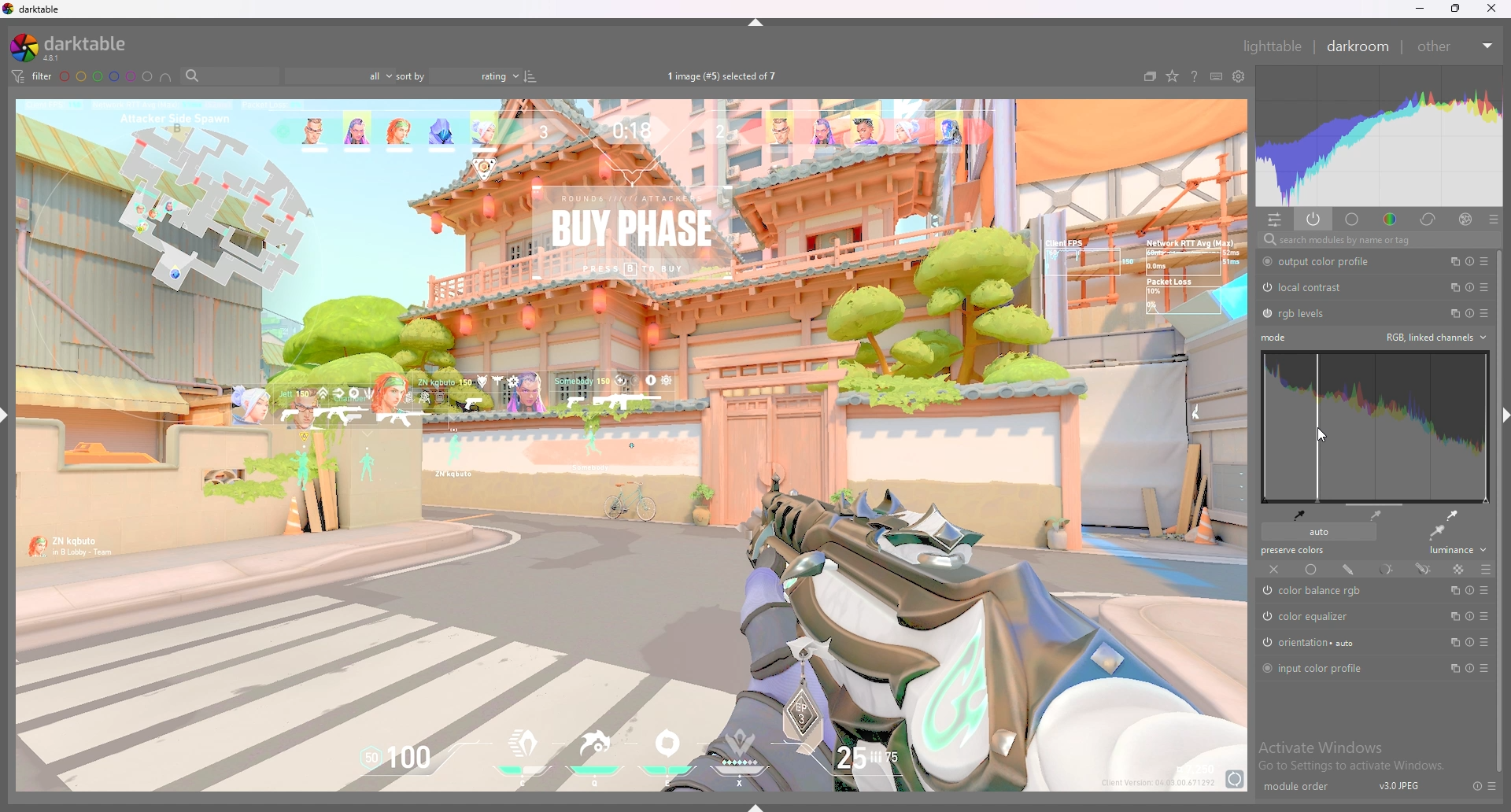  Describe the element at coordinates (1451, 615) in the screenshot. I see `multiple instances action` at that location.